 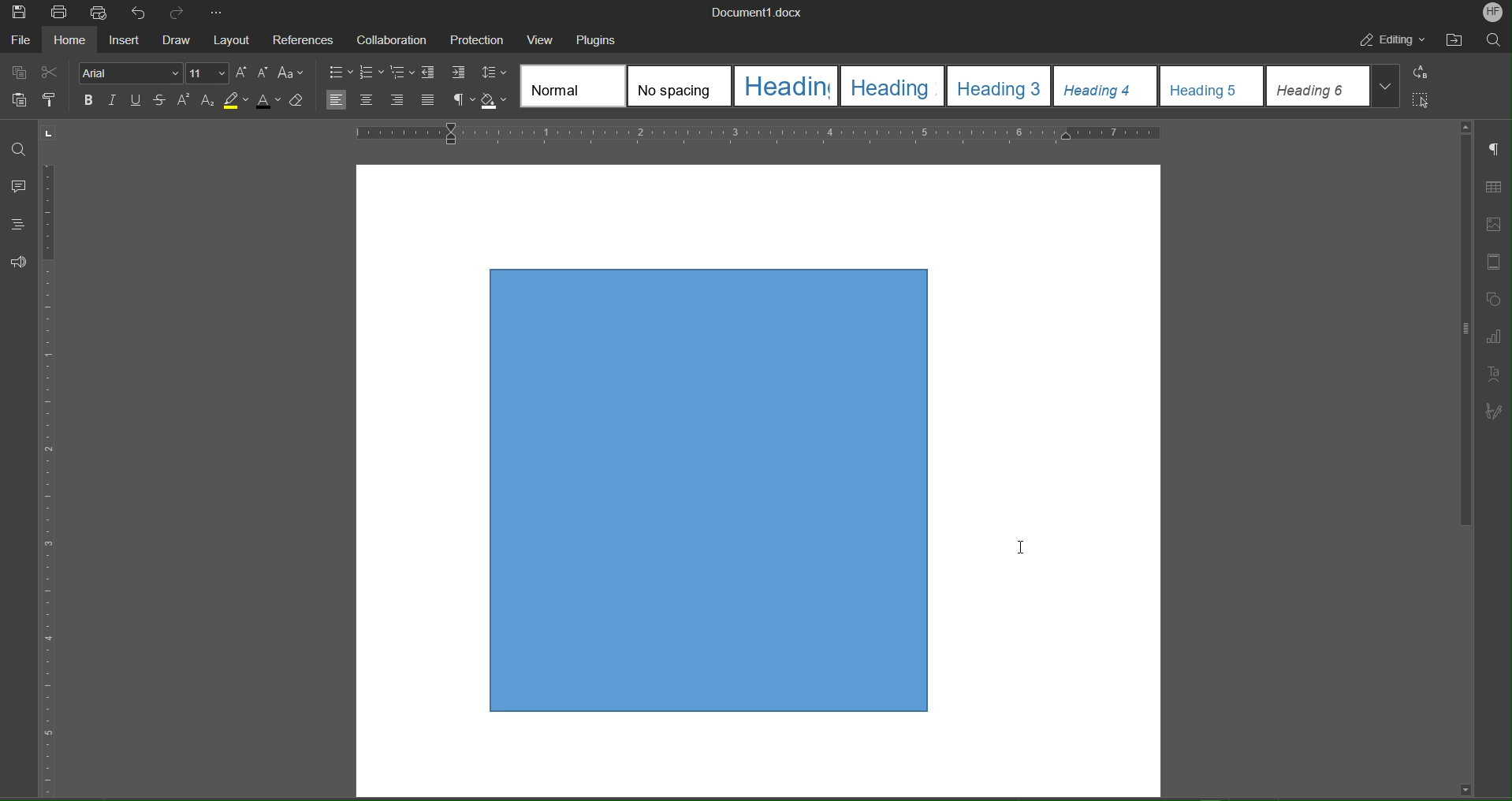 What do you see at coordinates (1456, 42) in the screenshot?
I see `Open File Location` at bounding box center [1456, 42].